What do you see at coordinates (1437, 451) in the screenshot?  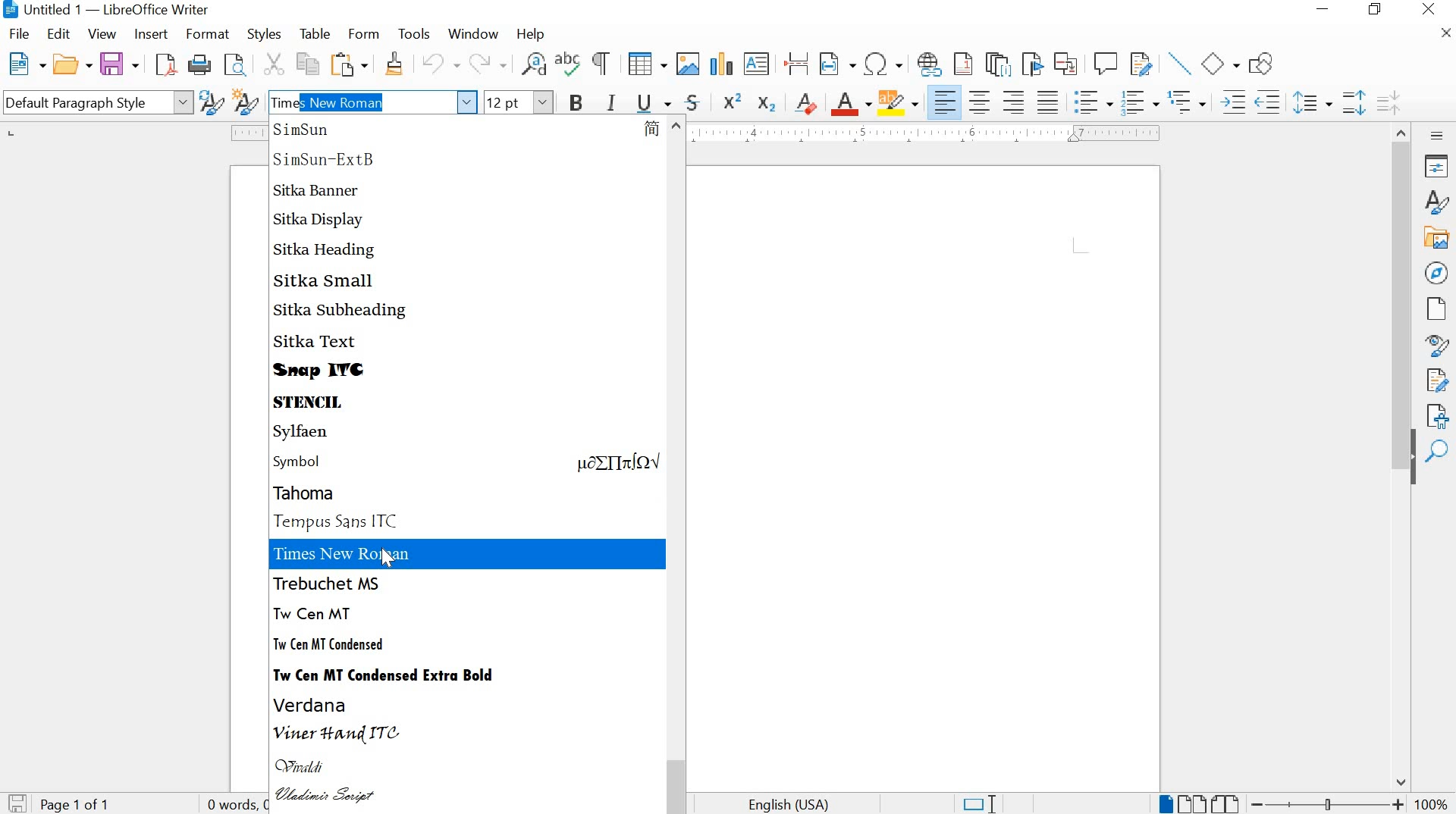 I see `FIND` at bounding box center [1437, 451].